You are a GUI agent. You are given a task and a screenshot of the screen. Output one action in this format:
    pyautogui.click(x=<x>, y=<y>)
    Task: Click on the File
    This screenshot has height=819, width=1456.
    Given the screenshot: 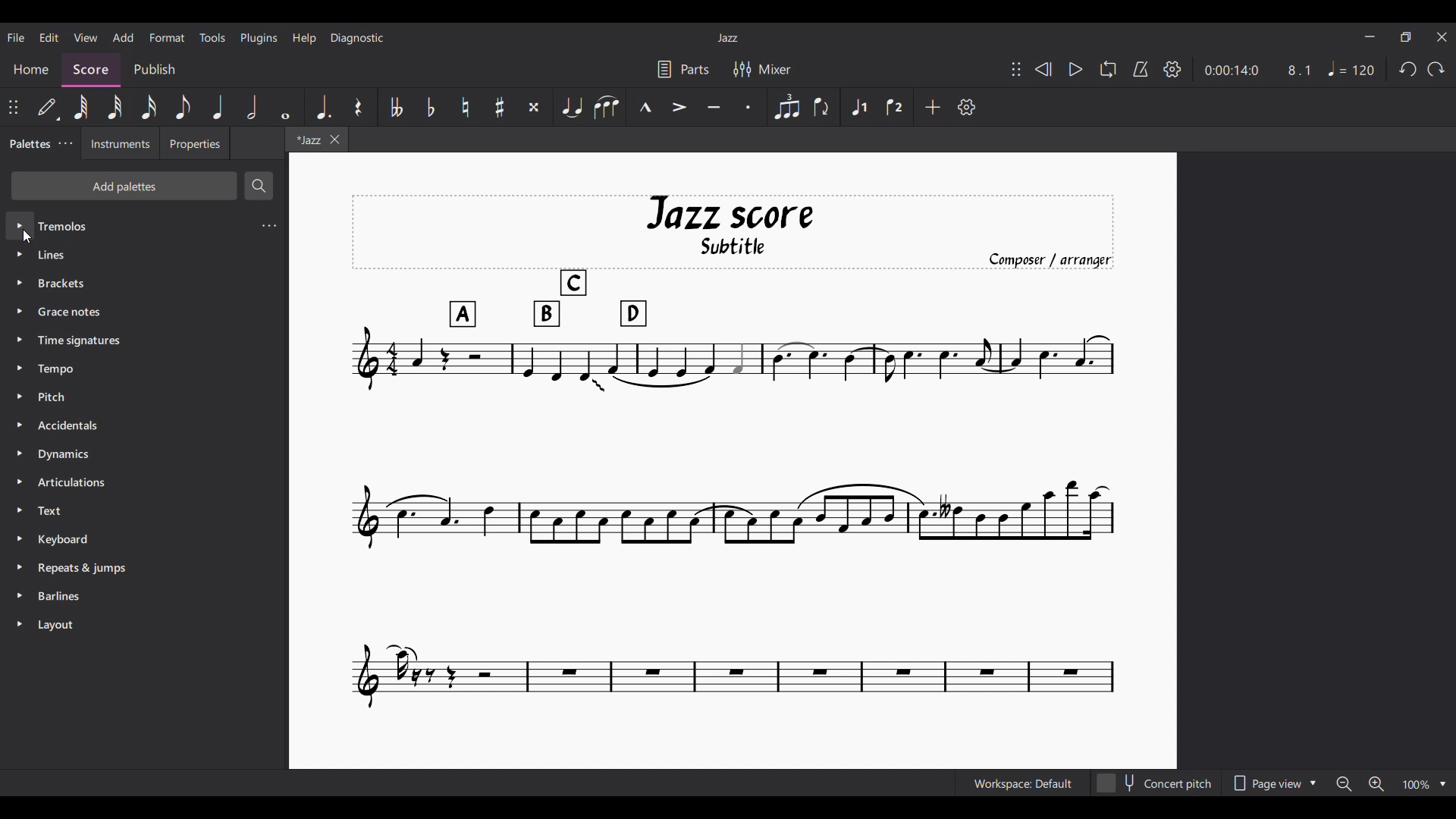 What is the action you would take?
    pyautogui.click(x=15, y=38)
    